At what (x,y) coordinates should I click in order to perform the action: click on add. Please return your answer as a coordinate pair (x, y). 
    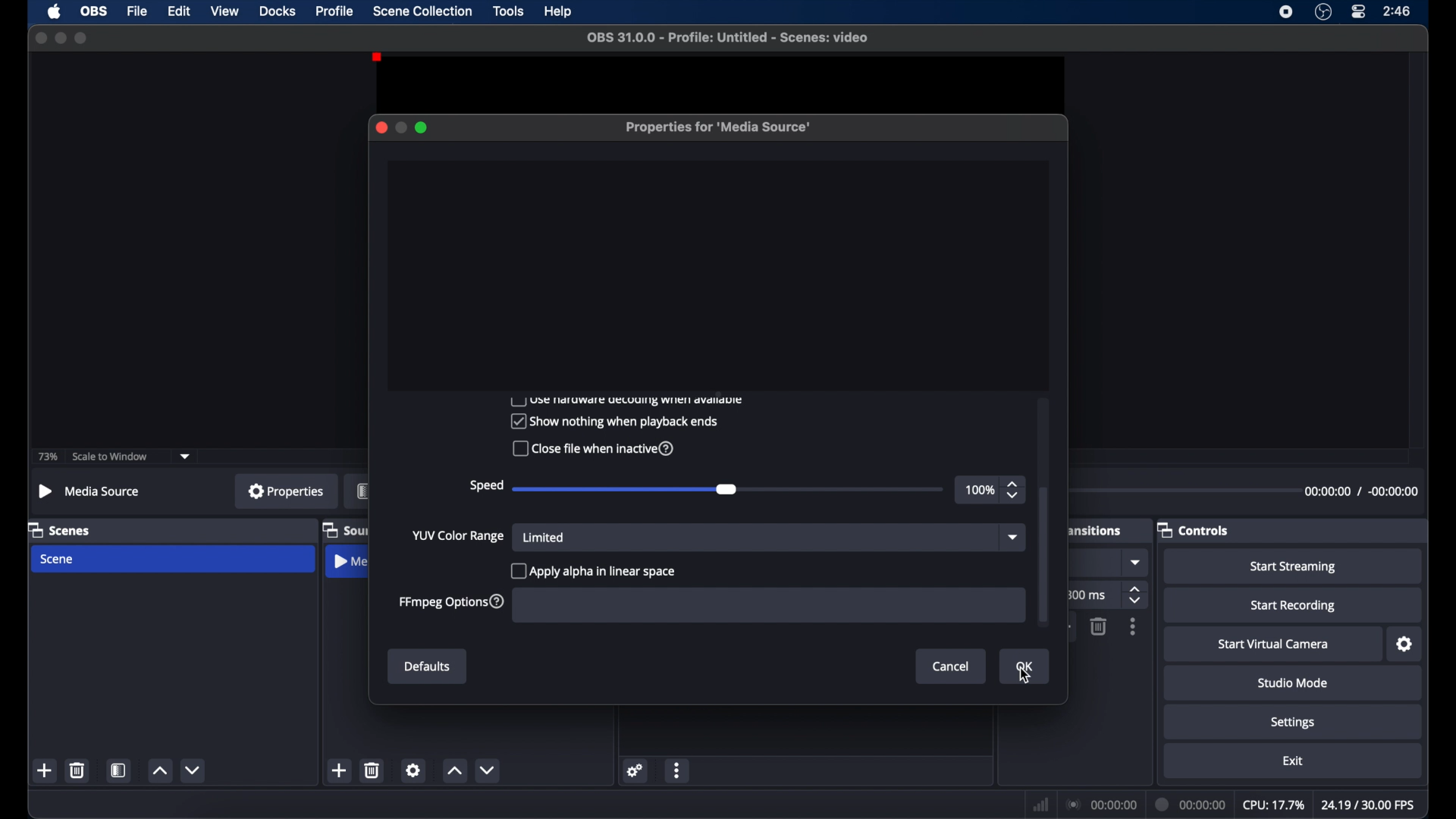
    Looking at the image, I should click on (340, 770).